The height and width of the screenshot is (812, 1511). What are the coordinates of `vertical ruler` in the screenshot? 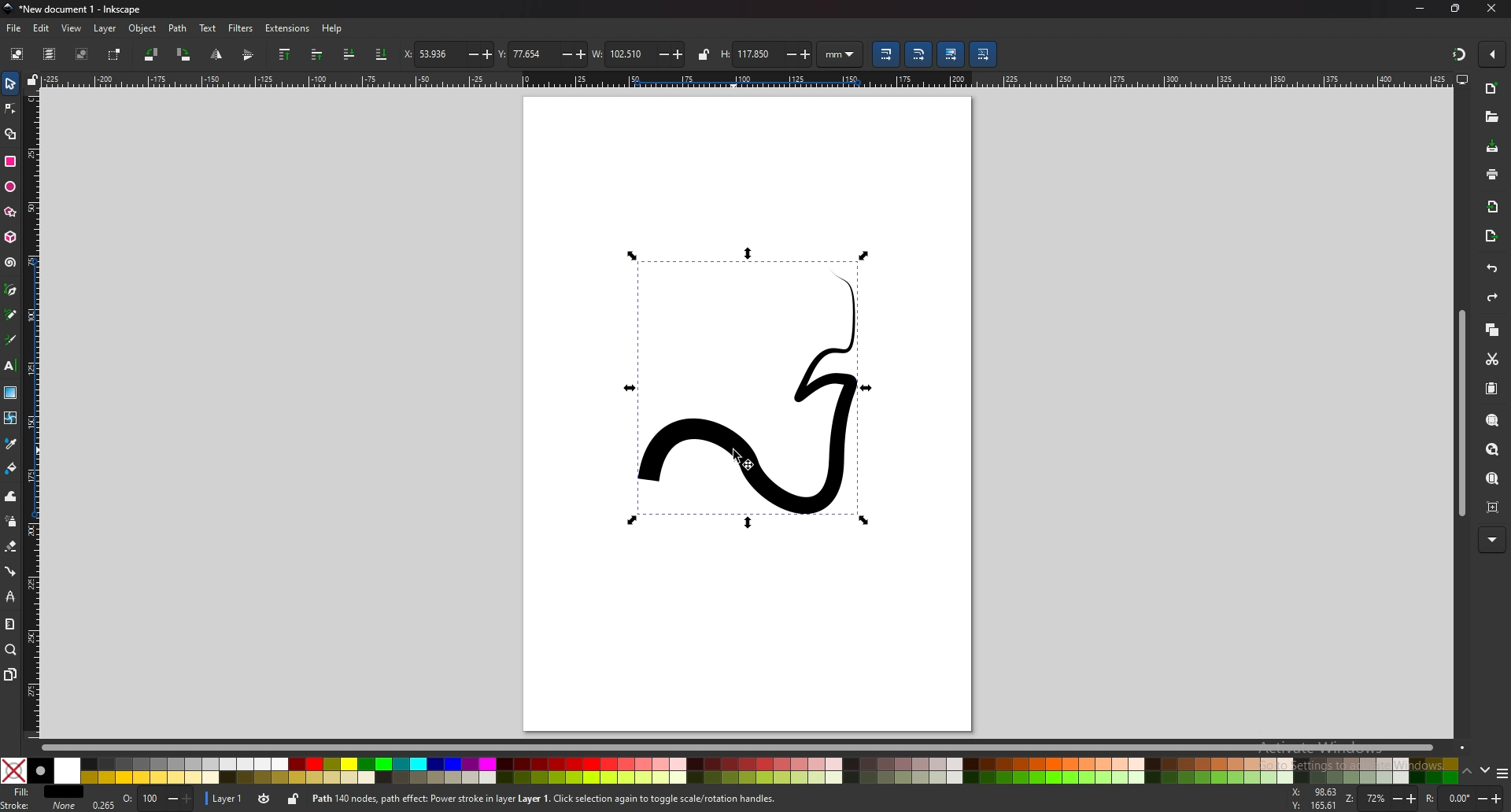 It's located at (34, 415).